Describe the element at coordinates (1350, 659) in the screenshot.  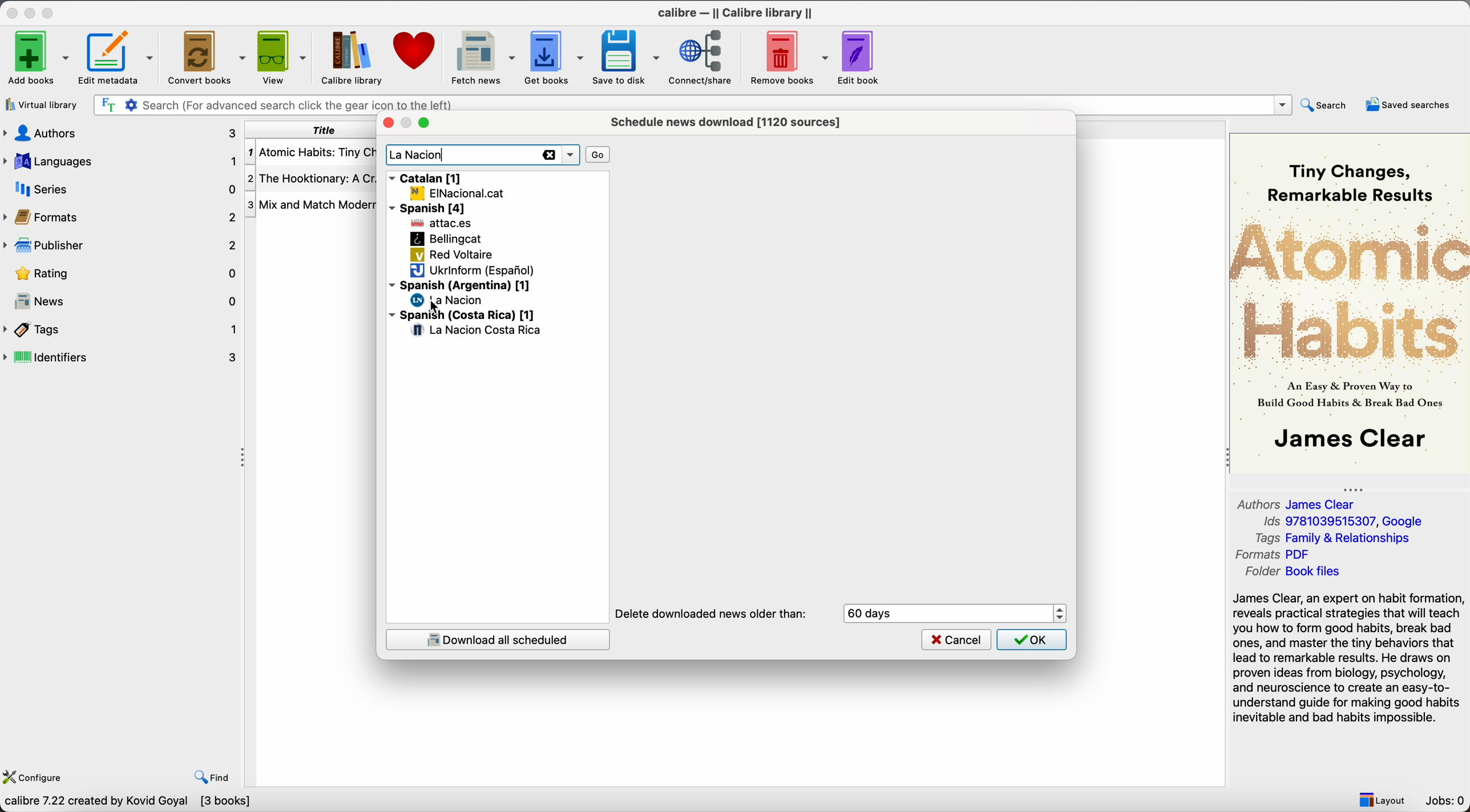
I see `synopsis` at that location.